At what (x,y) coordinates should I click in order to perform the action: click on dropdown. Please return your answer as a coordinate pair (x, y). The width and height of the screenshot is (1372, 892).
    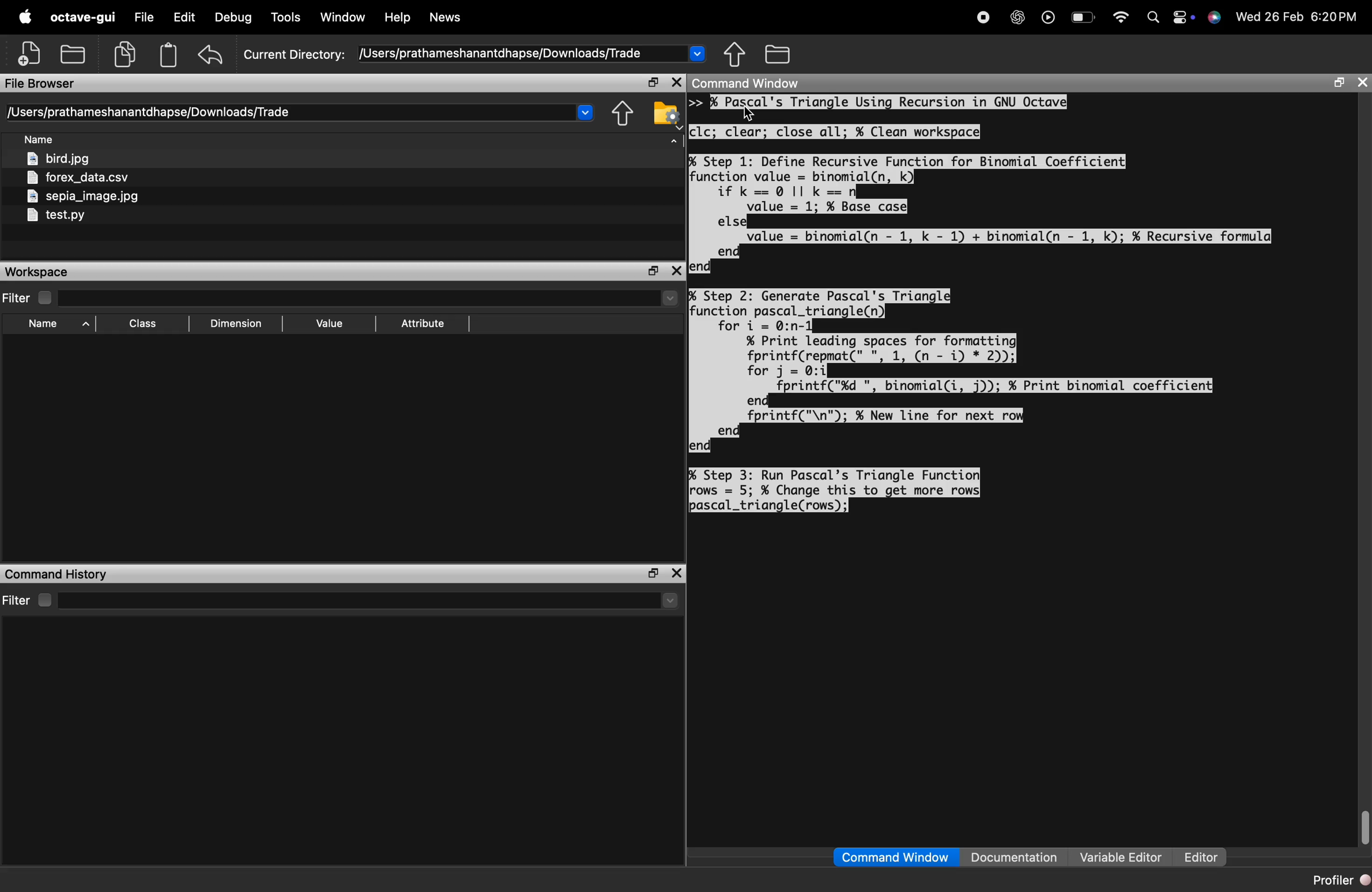
    Looking at the image, I should click on (673, 145).